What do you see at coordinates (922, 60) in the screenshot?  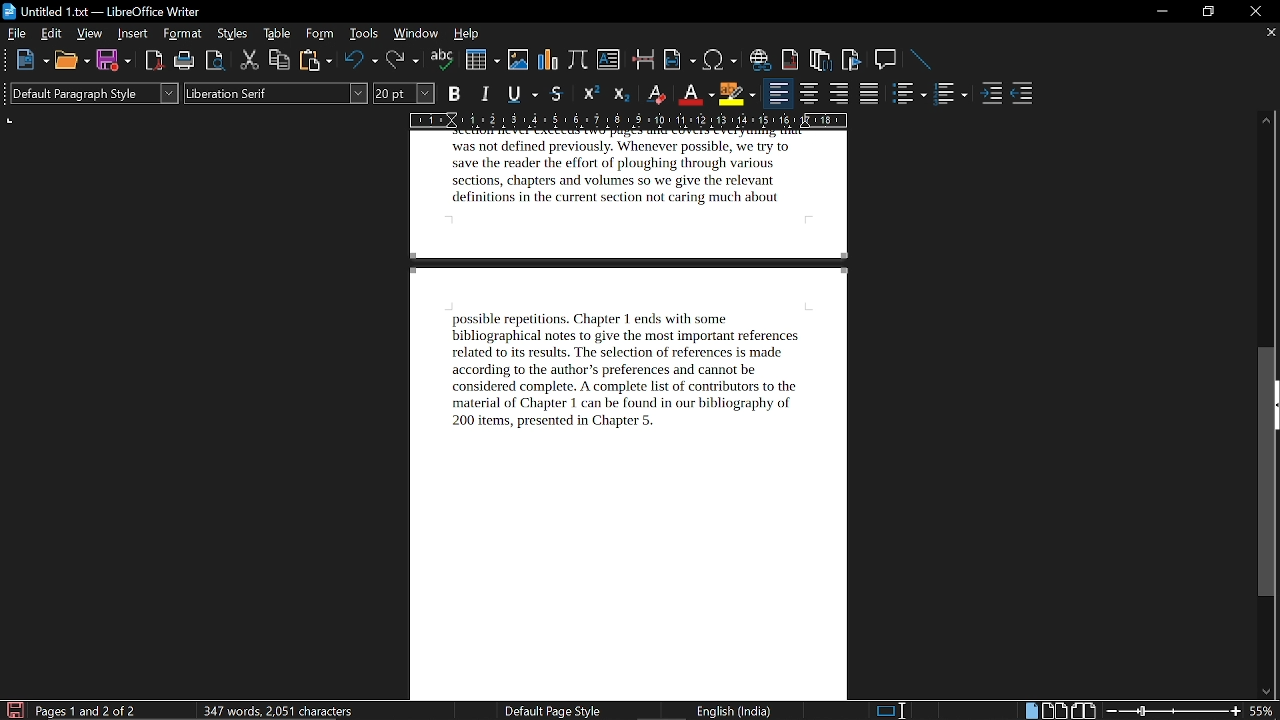 I see `line` at bounding box center [922, 60].